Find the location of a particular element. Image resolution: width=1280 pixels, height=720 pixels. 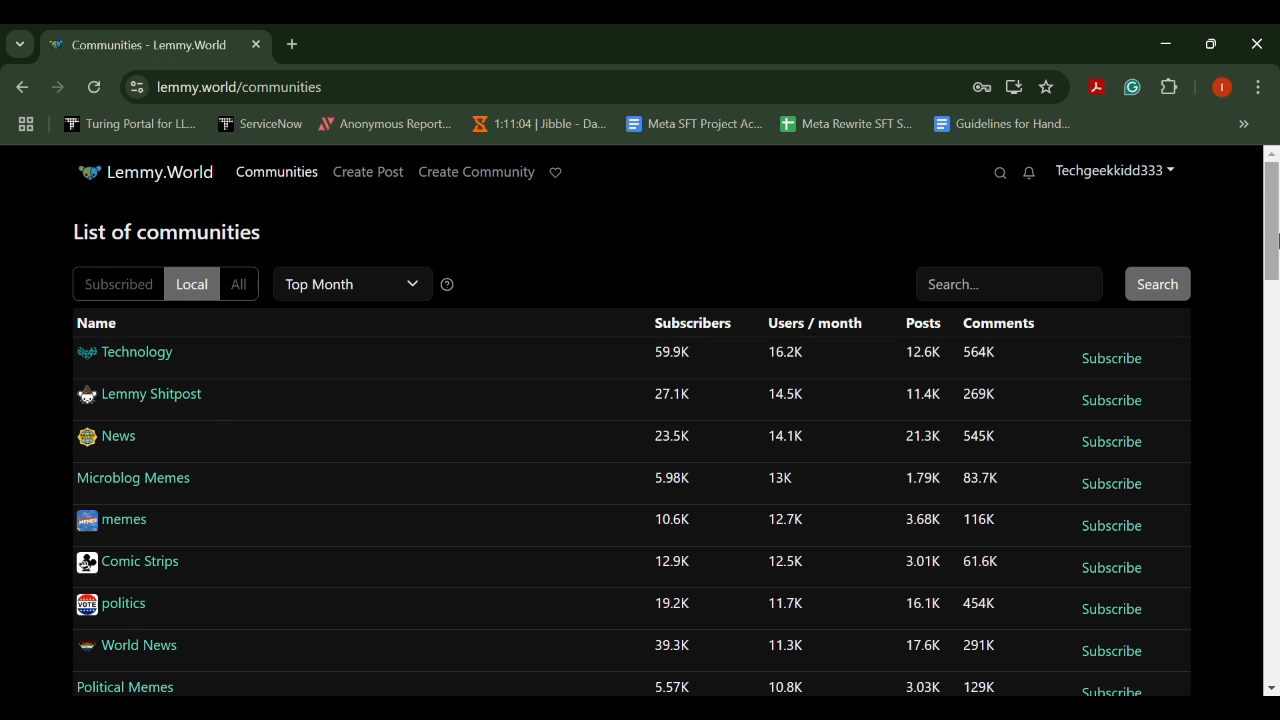

Comic Strips is located at coordinates (127, 564).